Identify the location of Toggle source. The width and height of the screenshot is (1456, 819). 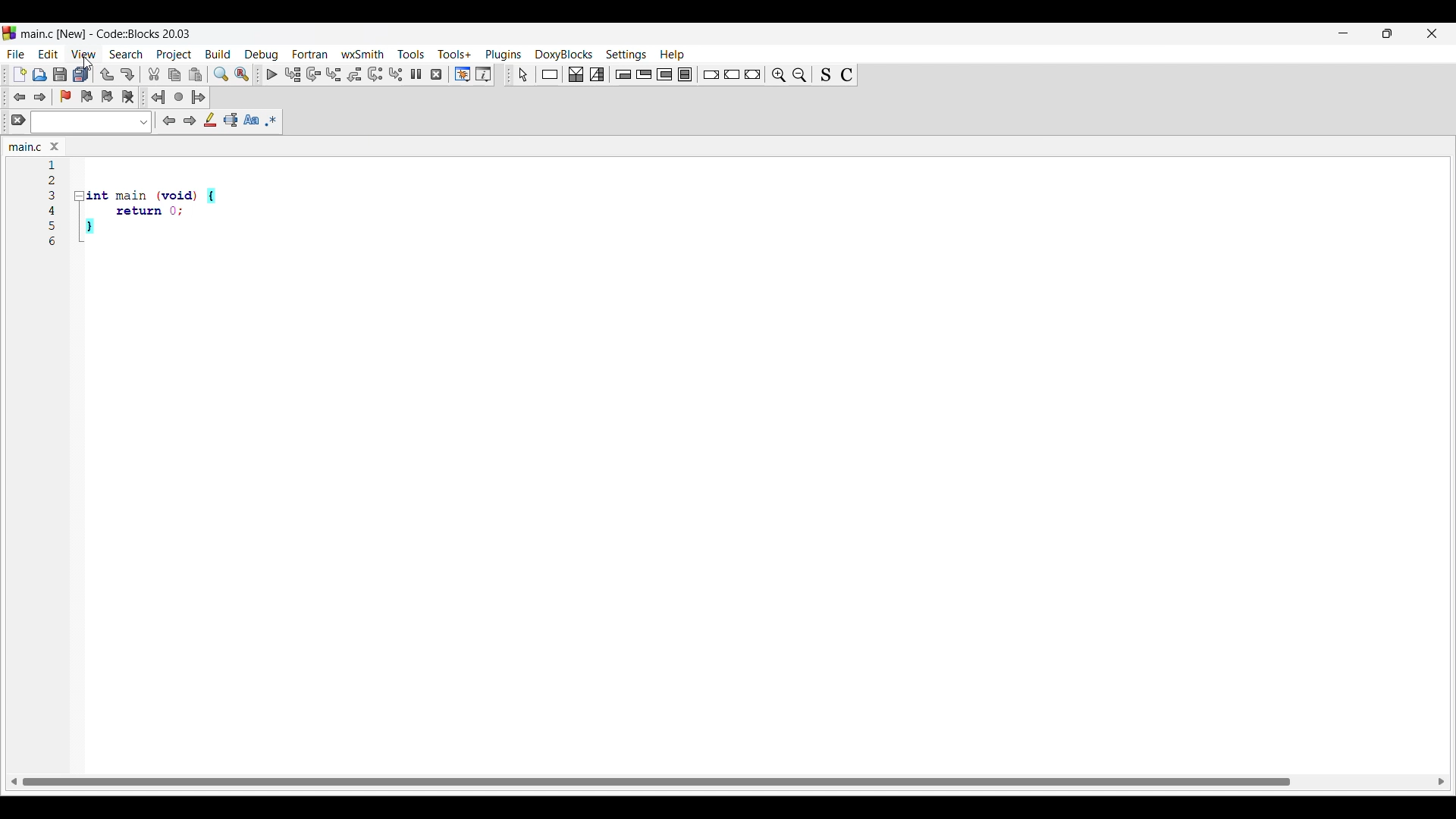
(826, 74).